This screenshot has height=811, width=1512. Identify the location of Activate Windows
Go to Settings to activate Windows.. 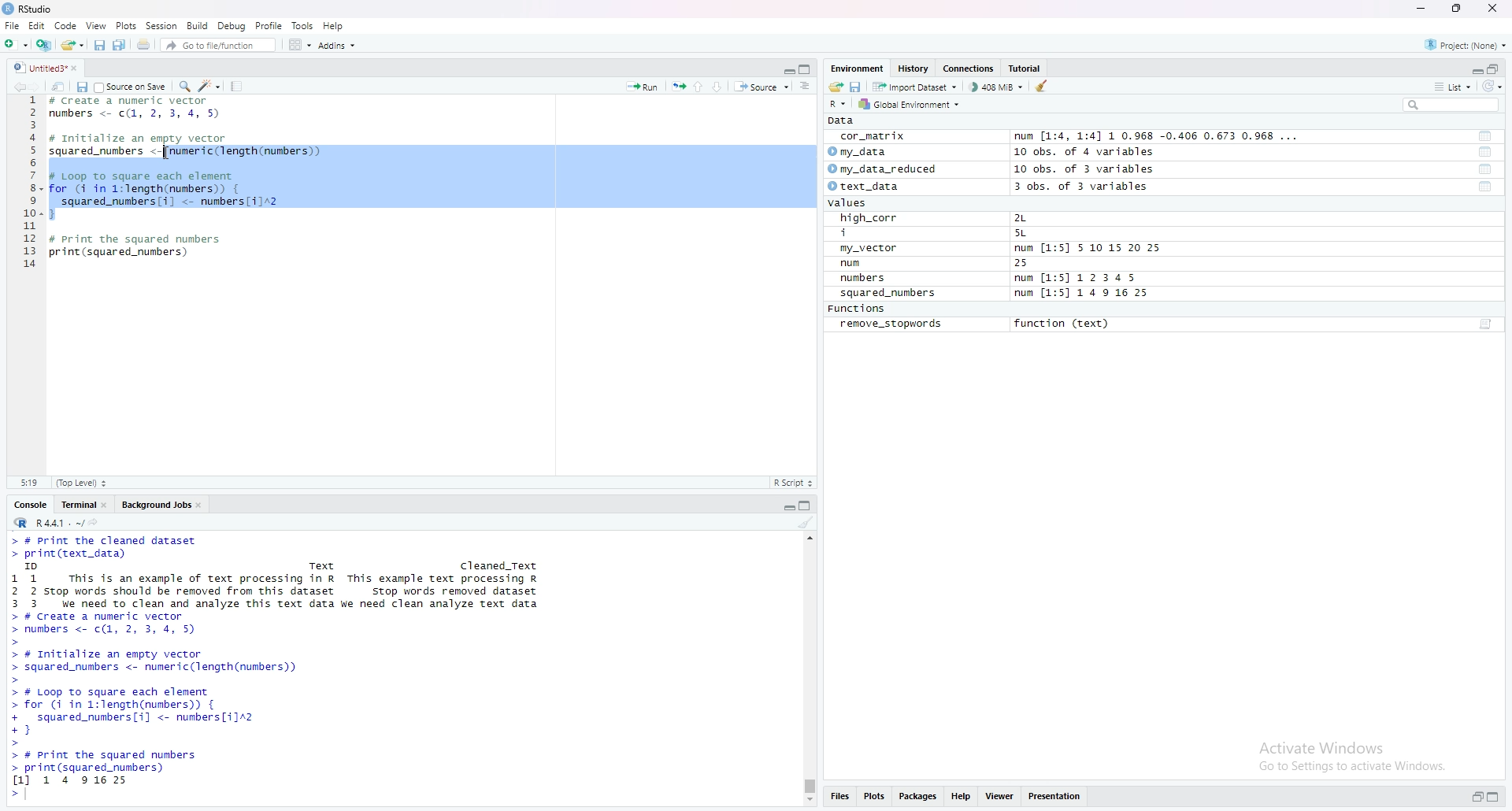
(1354, 754).